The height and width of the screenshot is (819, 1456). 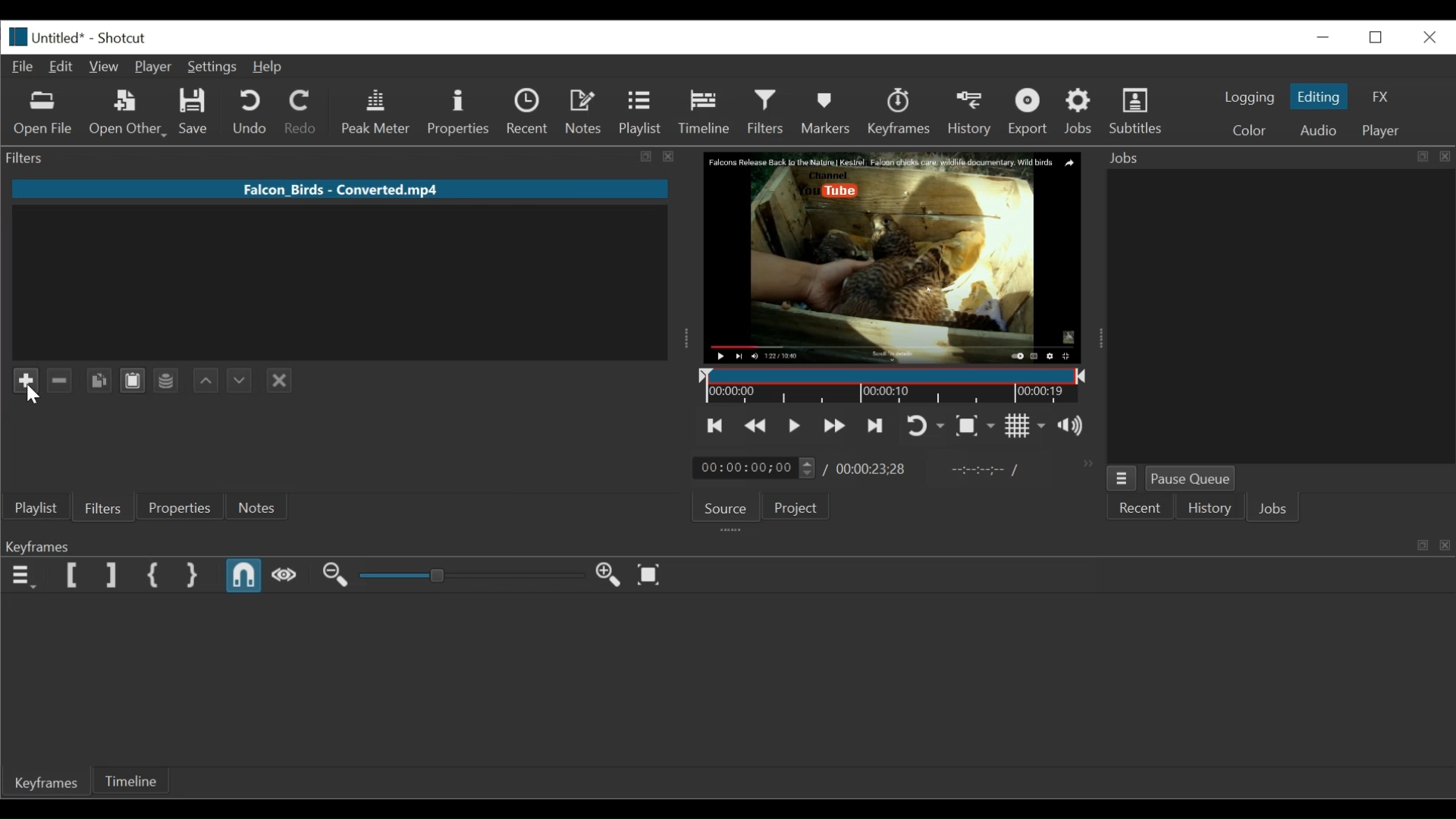 I want to click on In point, so click(x=977, y=470).